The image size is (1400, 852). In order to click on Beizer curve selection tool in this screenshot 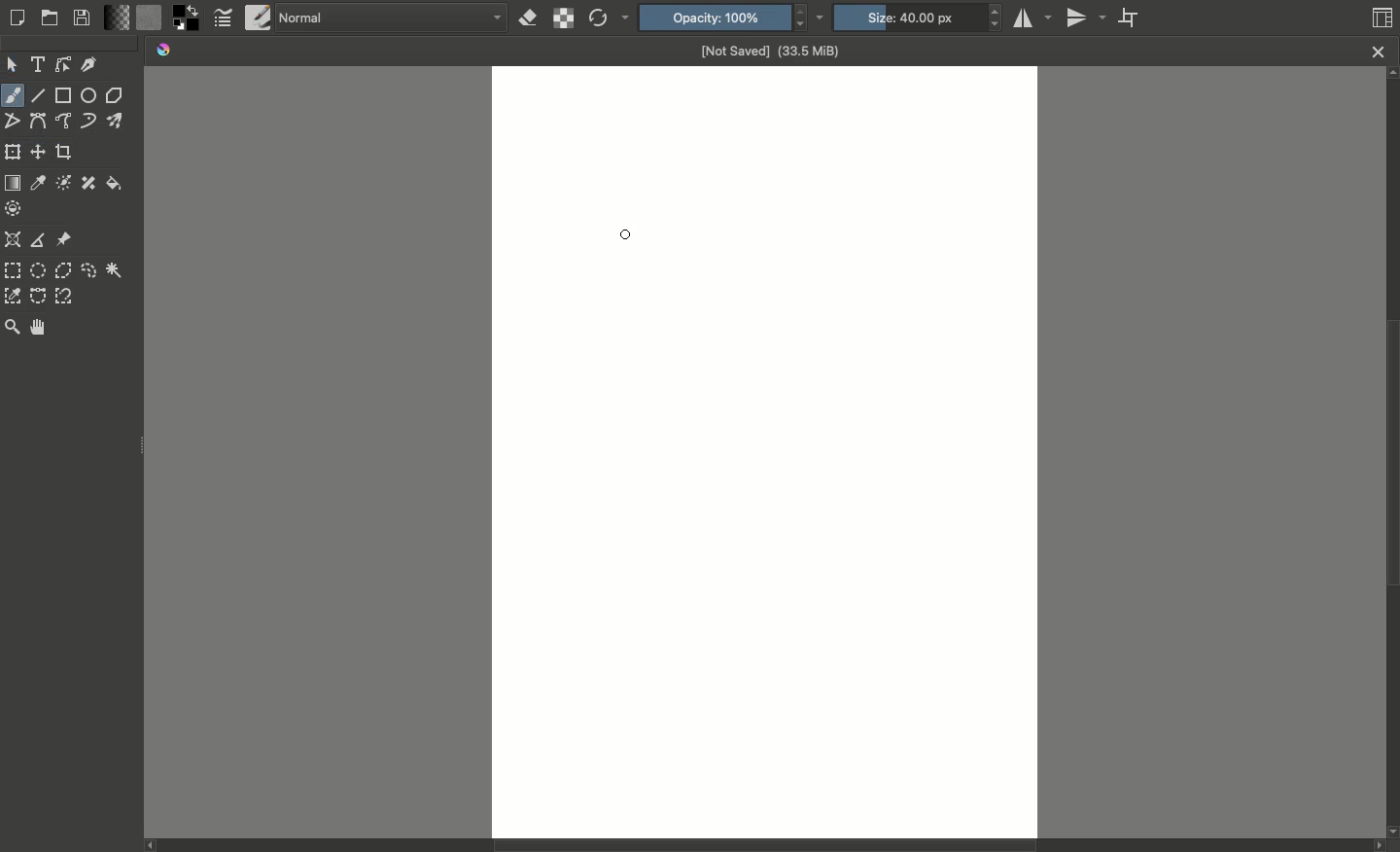, I will do `click(39, 295)`.